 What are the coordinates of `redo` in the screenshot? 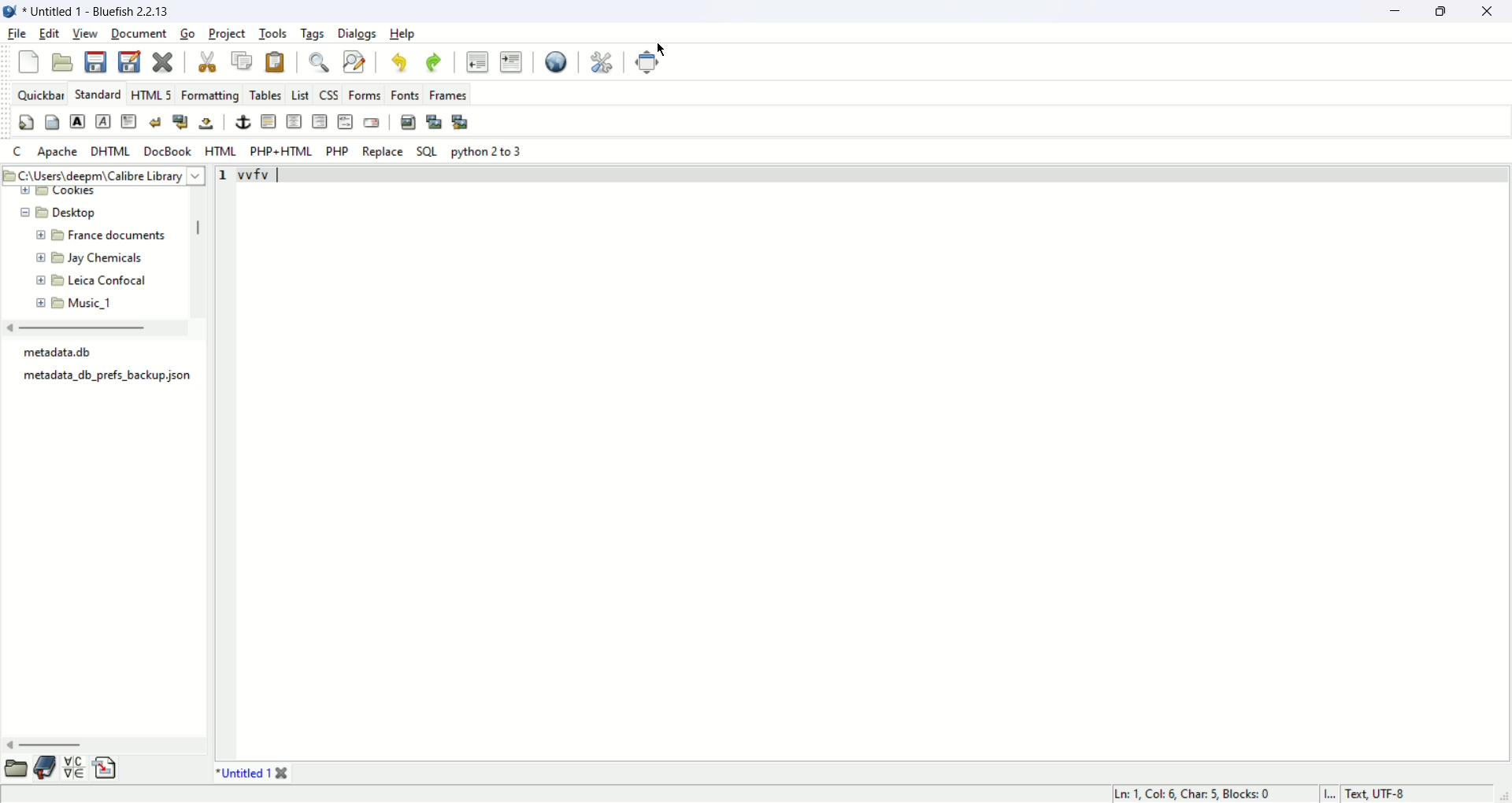 It's located at (431, 60).